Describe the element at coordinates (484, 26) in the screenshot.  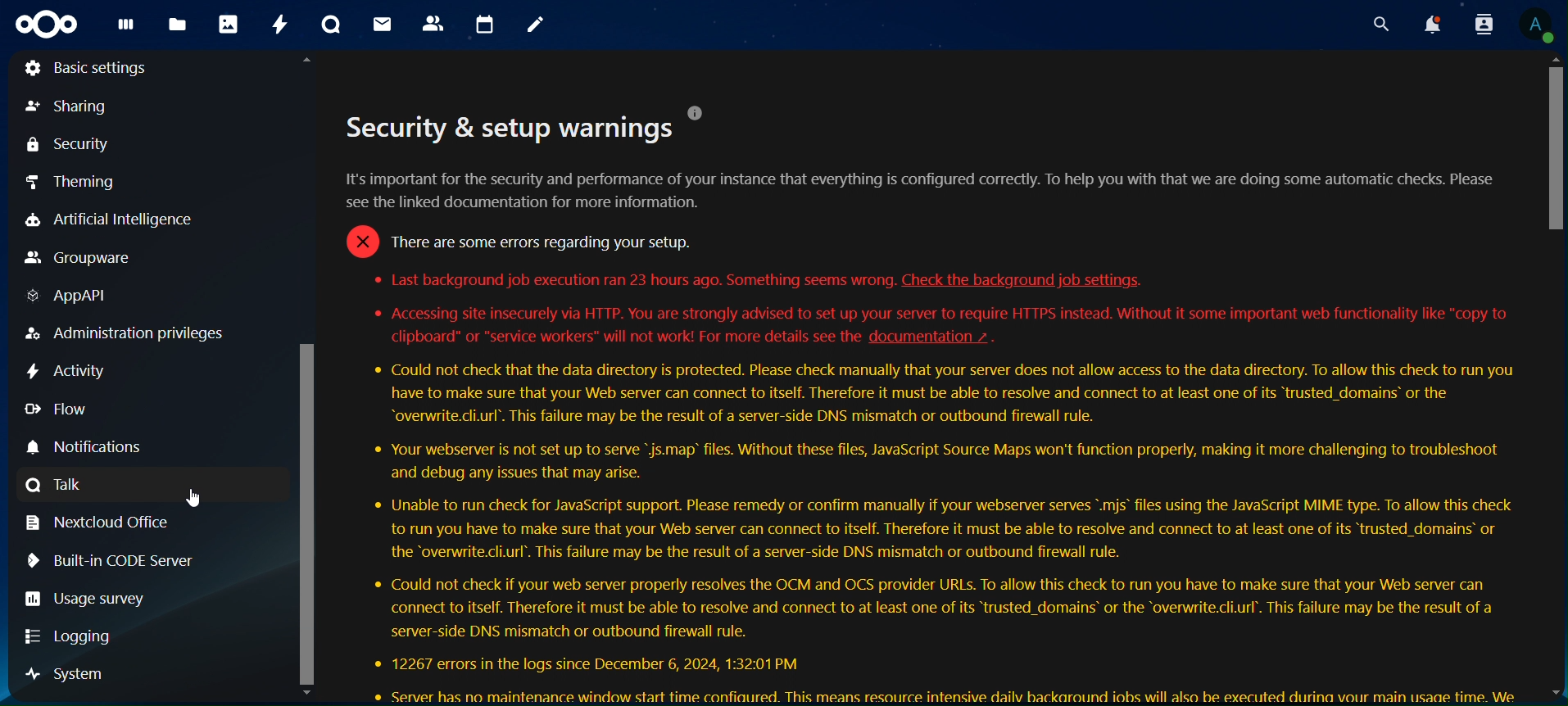
I see `calendar` at that location.